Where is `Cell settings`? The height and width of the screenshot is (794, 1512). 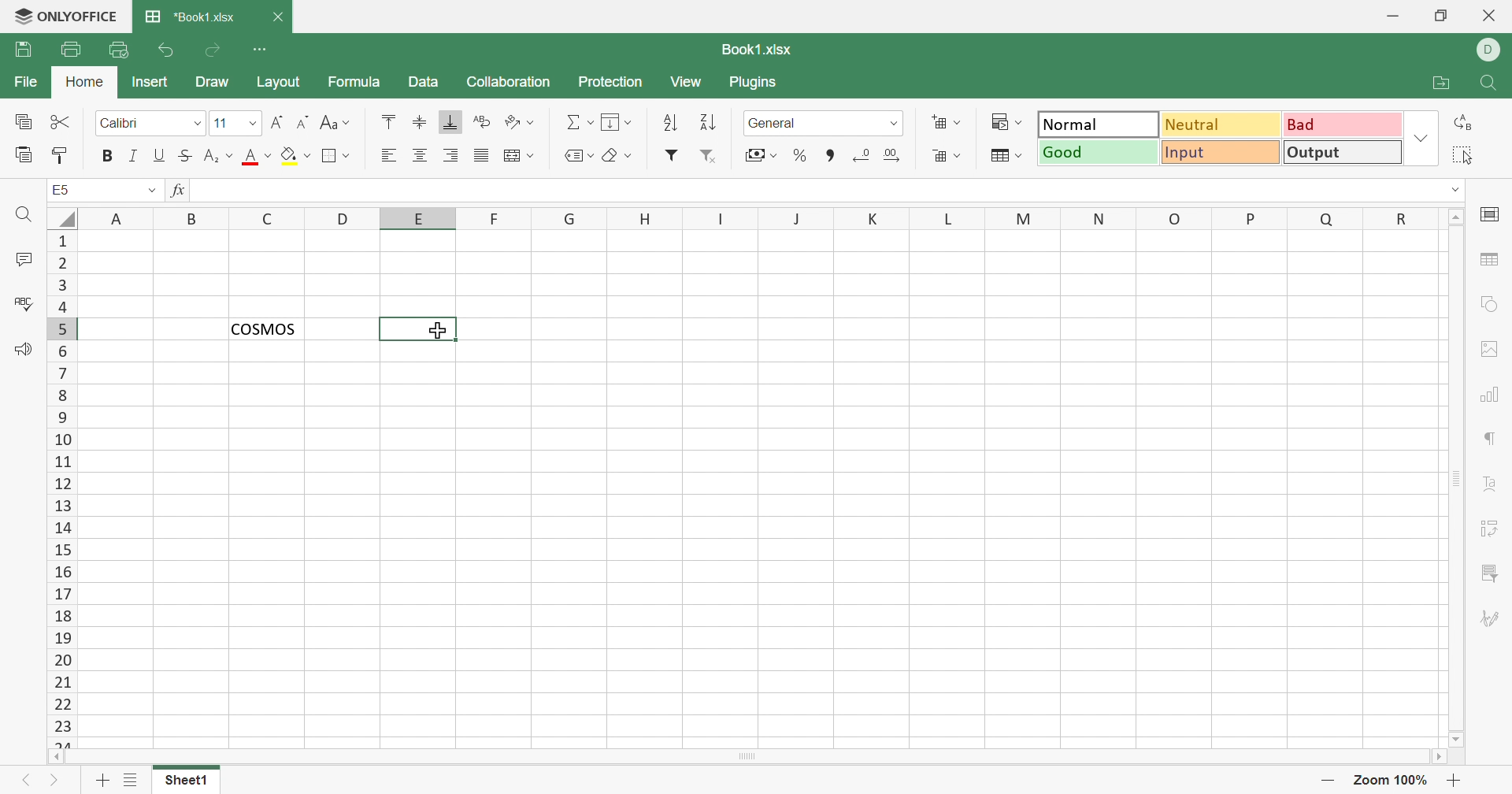 Cell settings is located at coordinates (1489, 216).